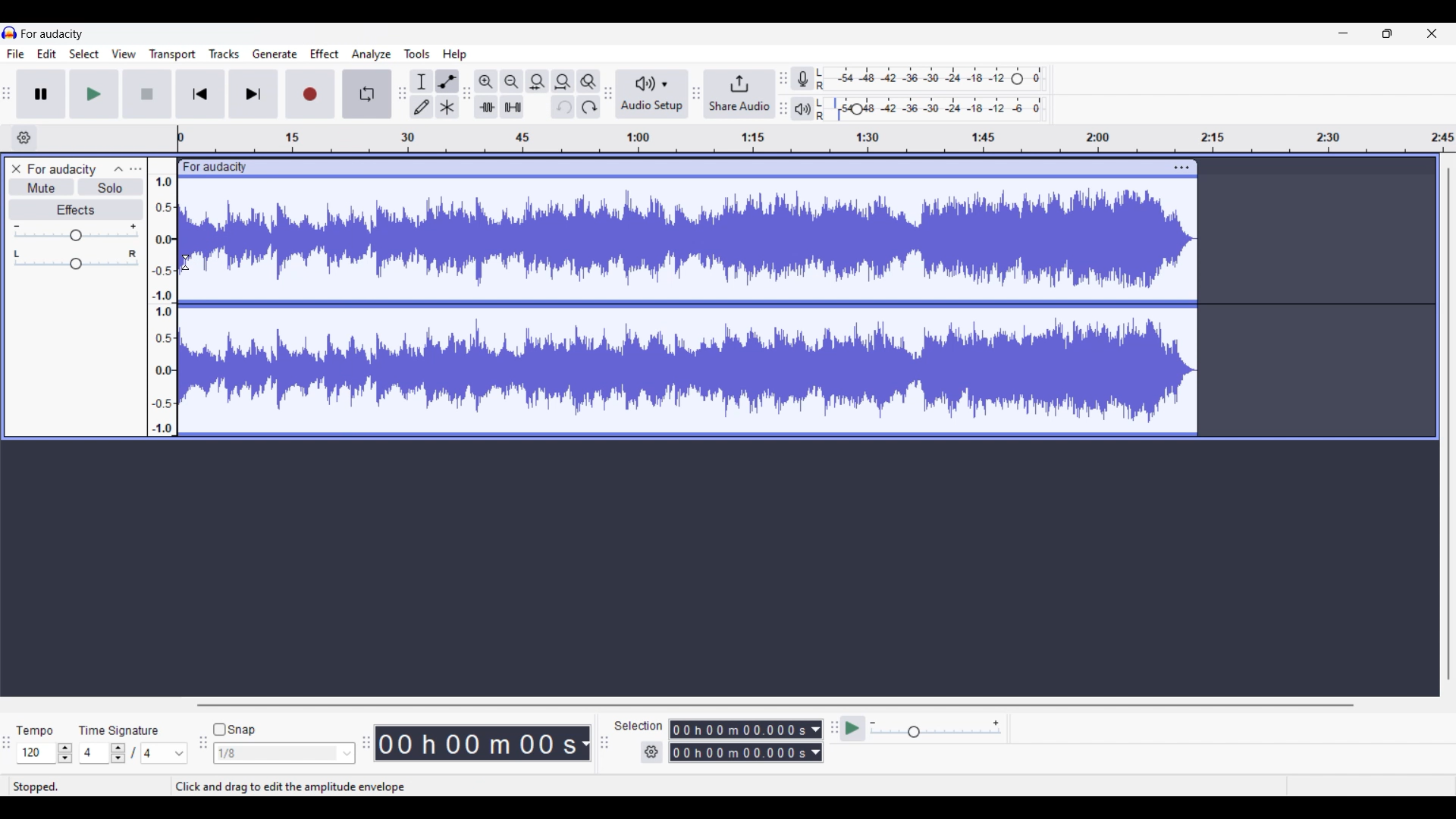  What do you see at coordinates (454, 55) in the screenshot?
I see `Help` at bounding box center [454, 55].